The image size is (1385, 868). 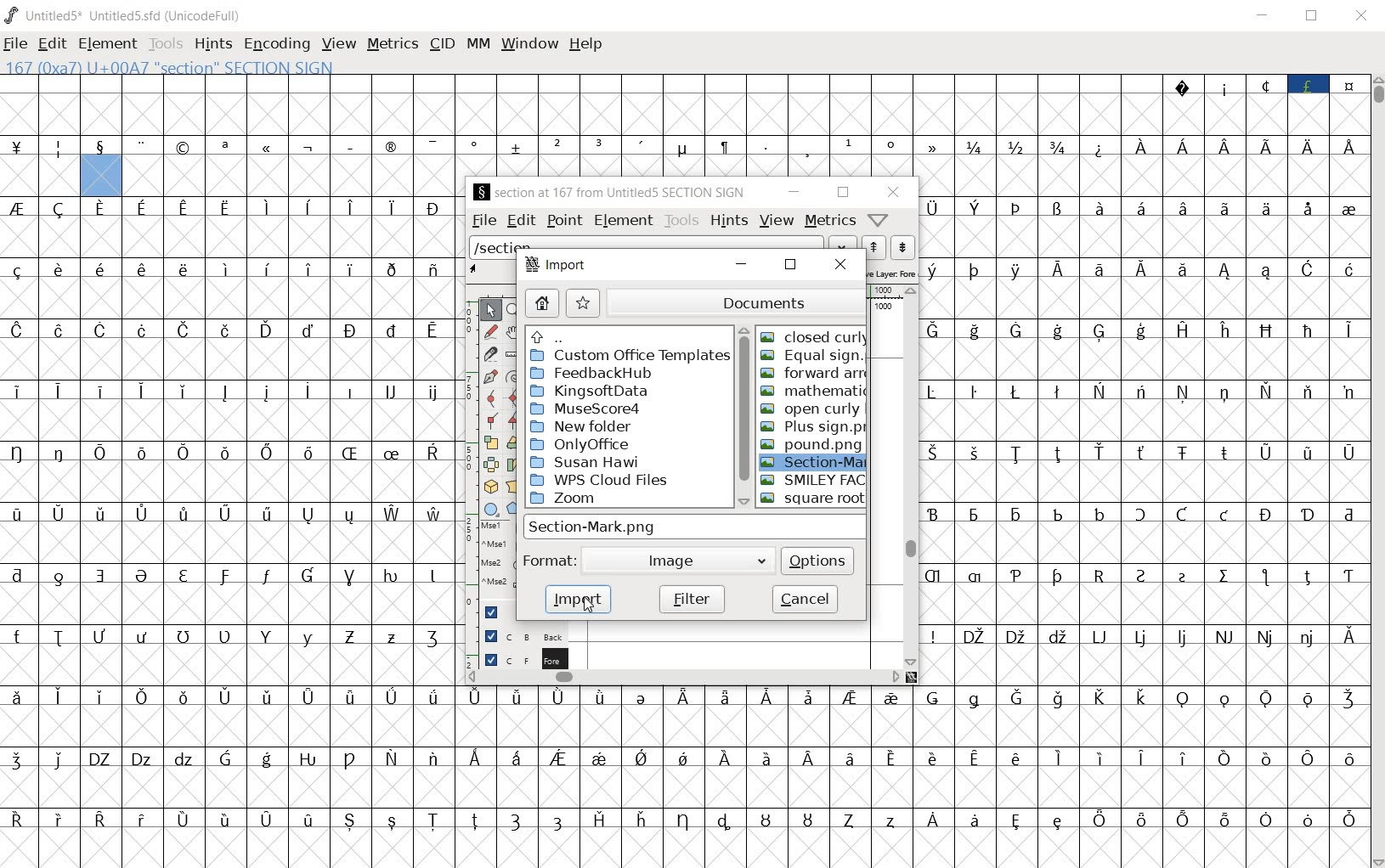 I want to click on special letters, so click(x=687, y=818).